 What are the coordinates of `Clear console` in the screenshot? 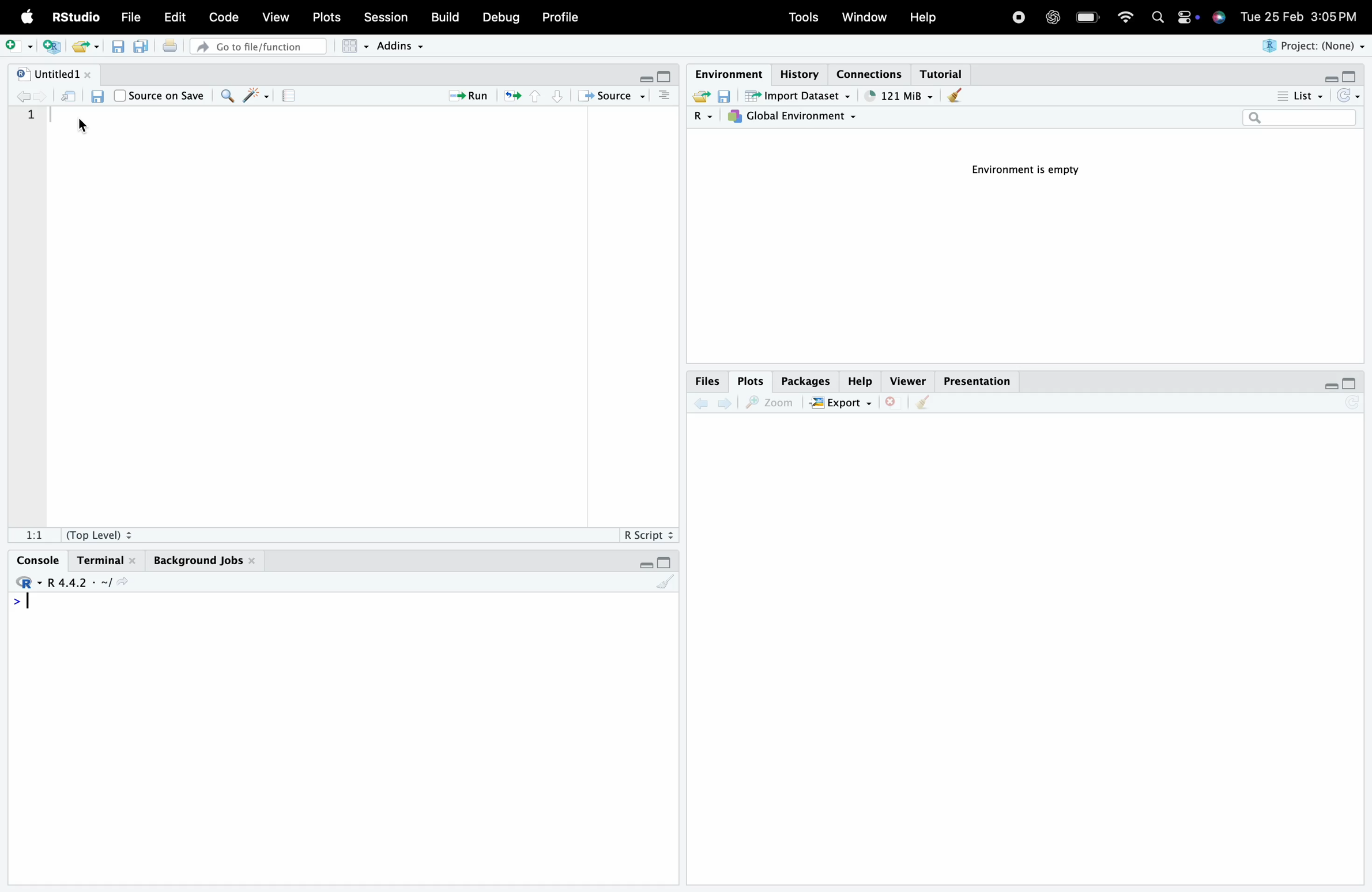 It's located at (668, 584).